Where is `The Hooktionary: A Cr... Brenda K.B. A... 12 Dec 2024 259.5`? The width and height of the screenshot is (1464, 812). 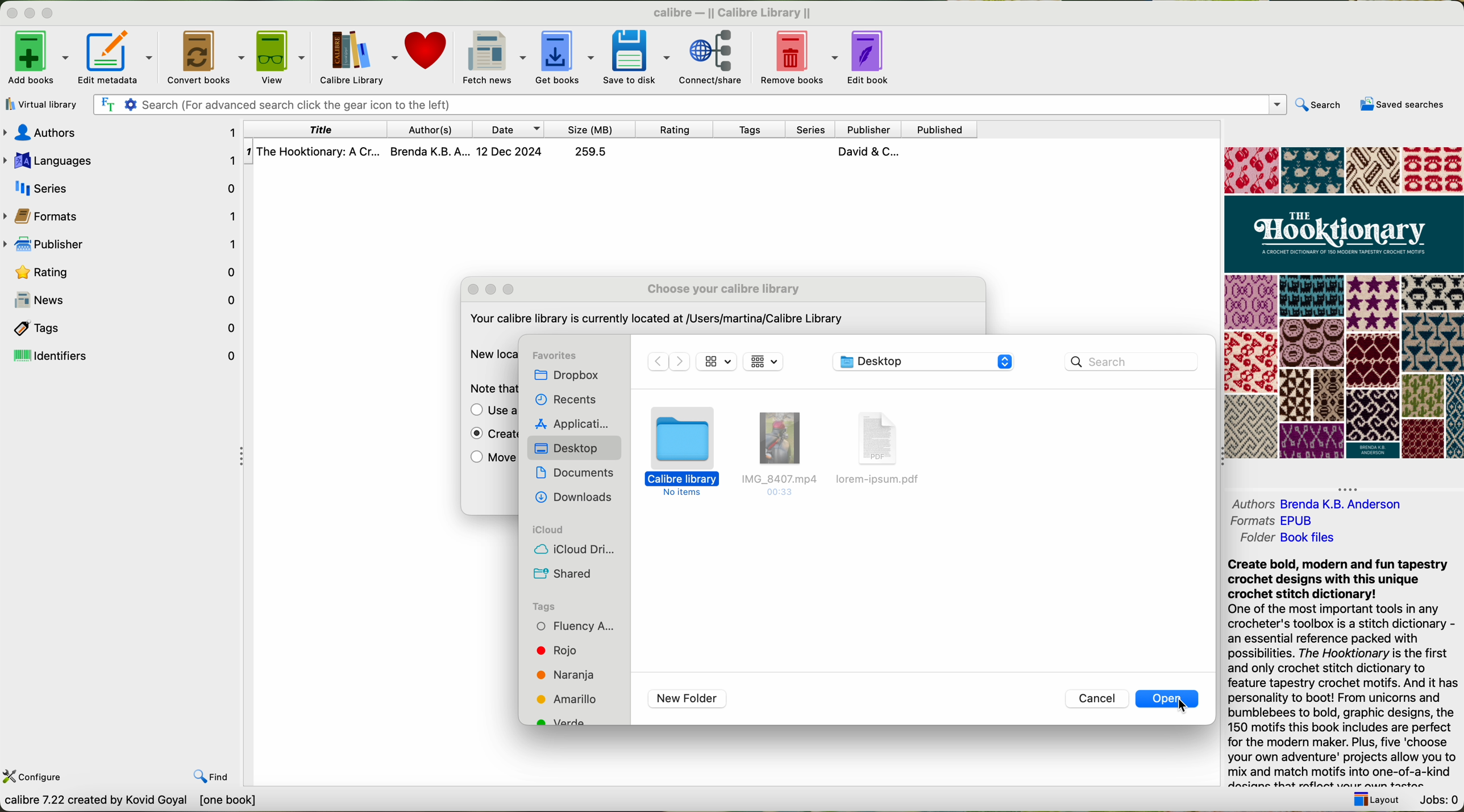 The Hooktionary: A Cr... Brenda K.B. A... 12 Dec 2024 259.5 is located at coordinates (577, 152).